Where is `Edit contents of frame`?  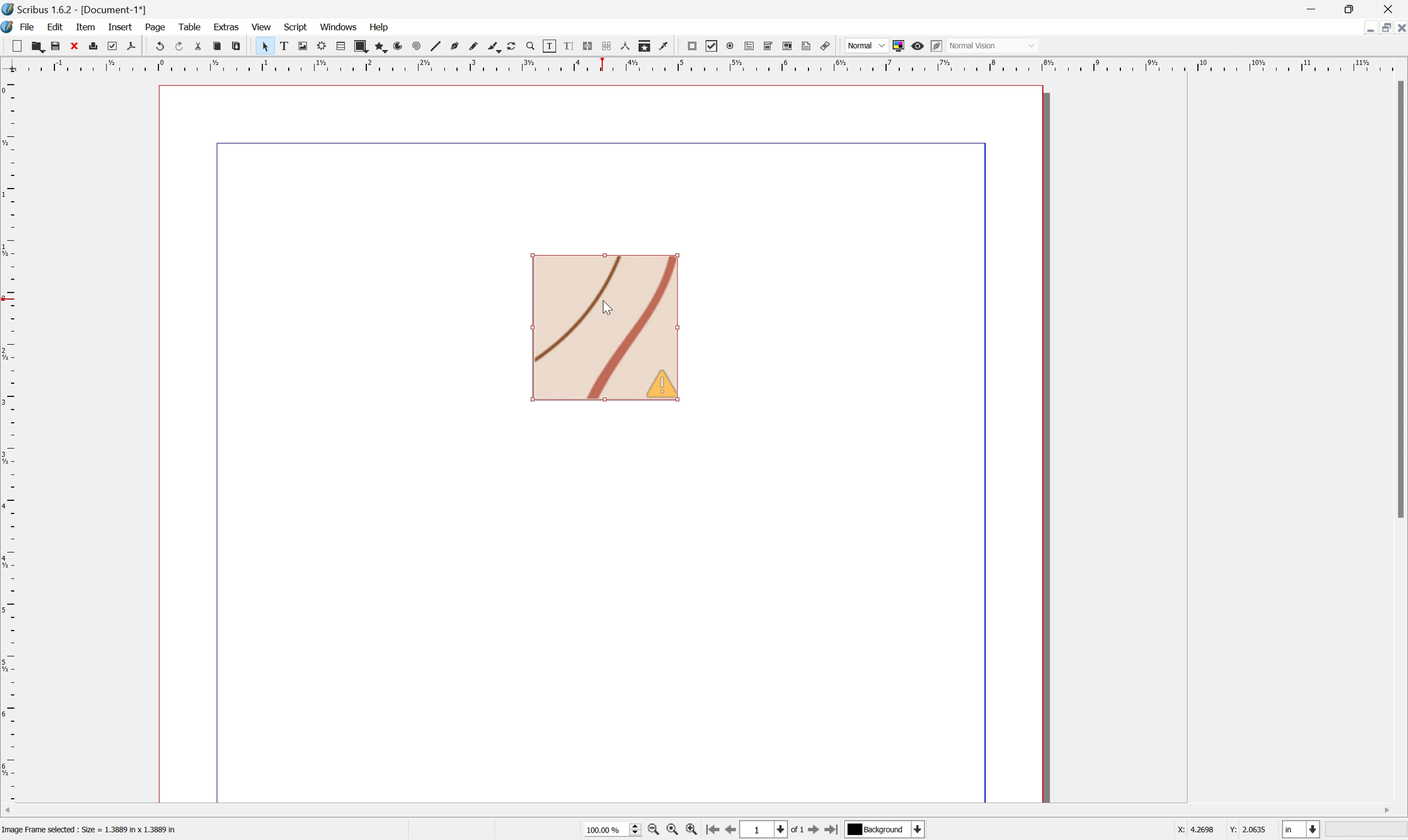 Edit contents of frame is located at coordinates (550, 45).